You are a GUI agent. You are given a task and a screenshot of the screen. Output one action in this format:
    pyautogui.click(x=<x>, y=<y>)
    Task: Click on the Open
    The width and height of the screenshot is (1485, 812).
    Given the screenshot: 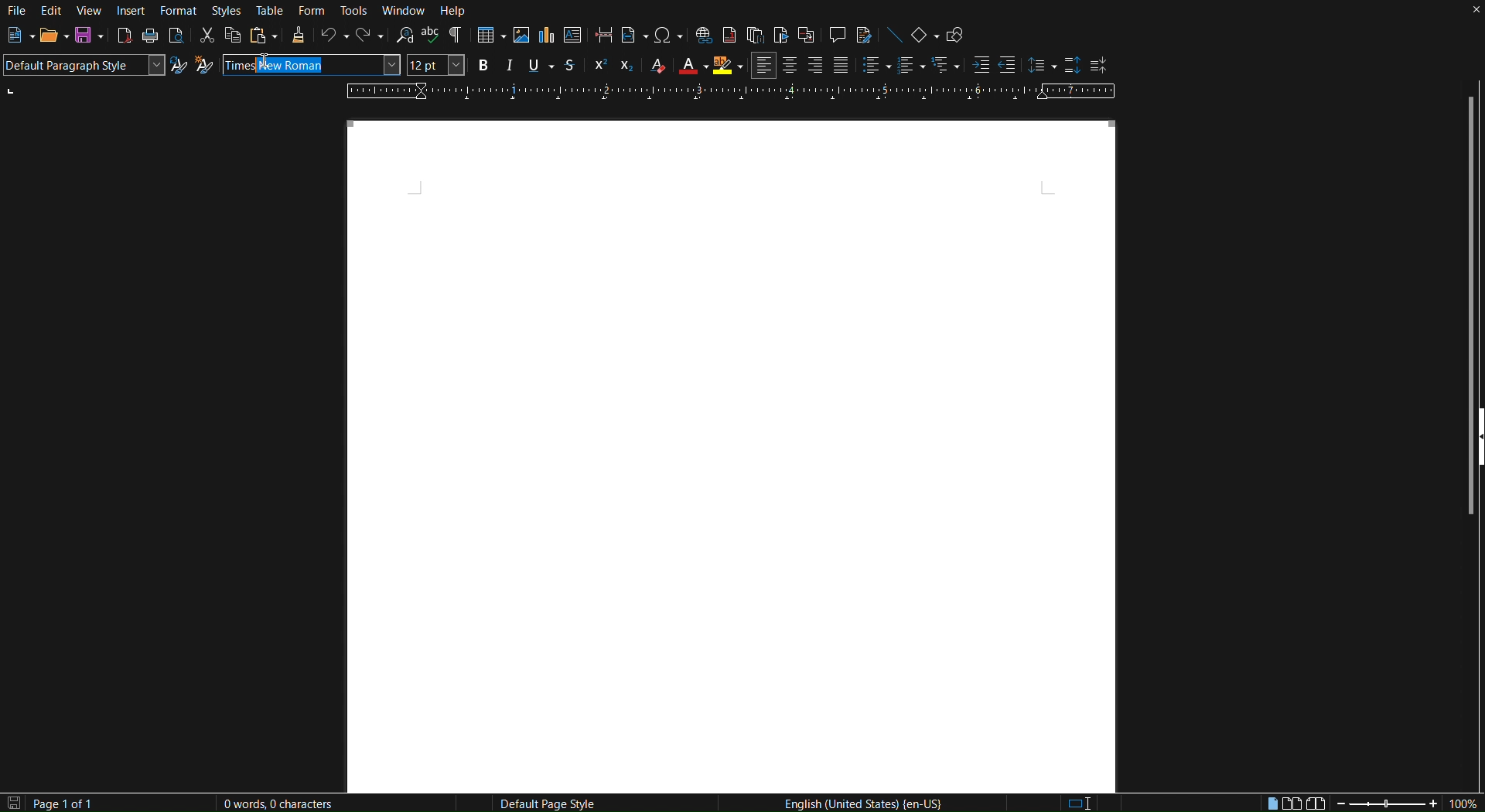 What is the action you would take?
    pyautogui.click(x=48, y=38)
    